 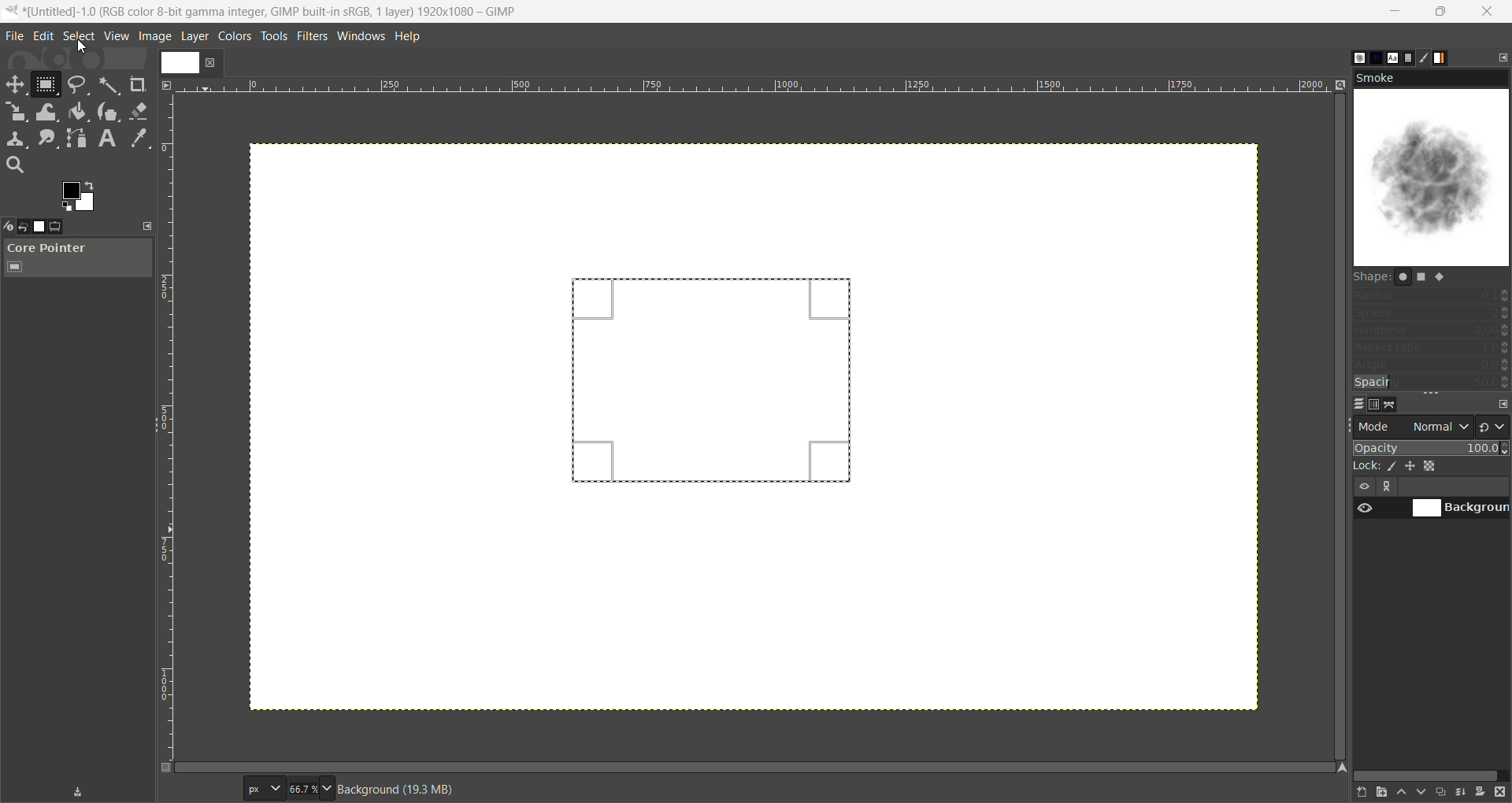 I want to click on free select tool, so click(x=79, y=86).